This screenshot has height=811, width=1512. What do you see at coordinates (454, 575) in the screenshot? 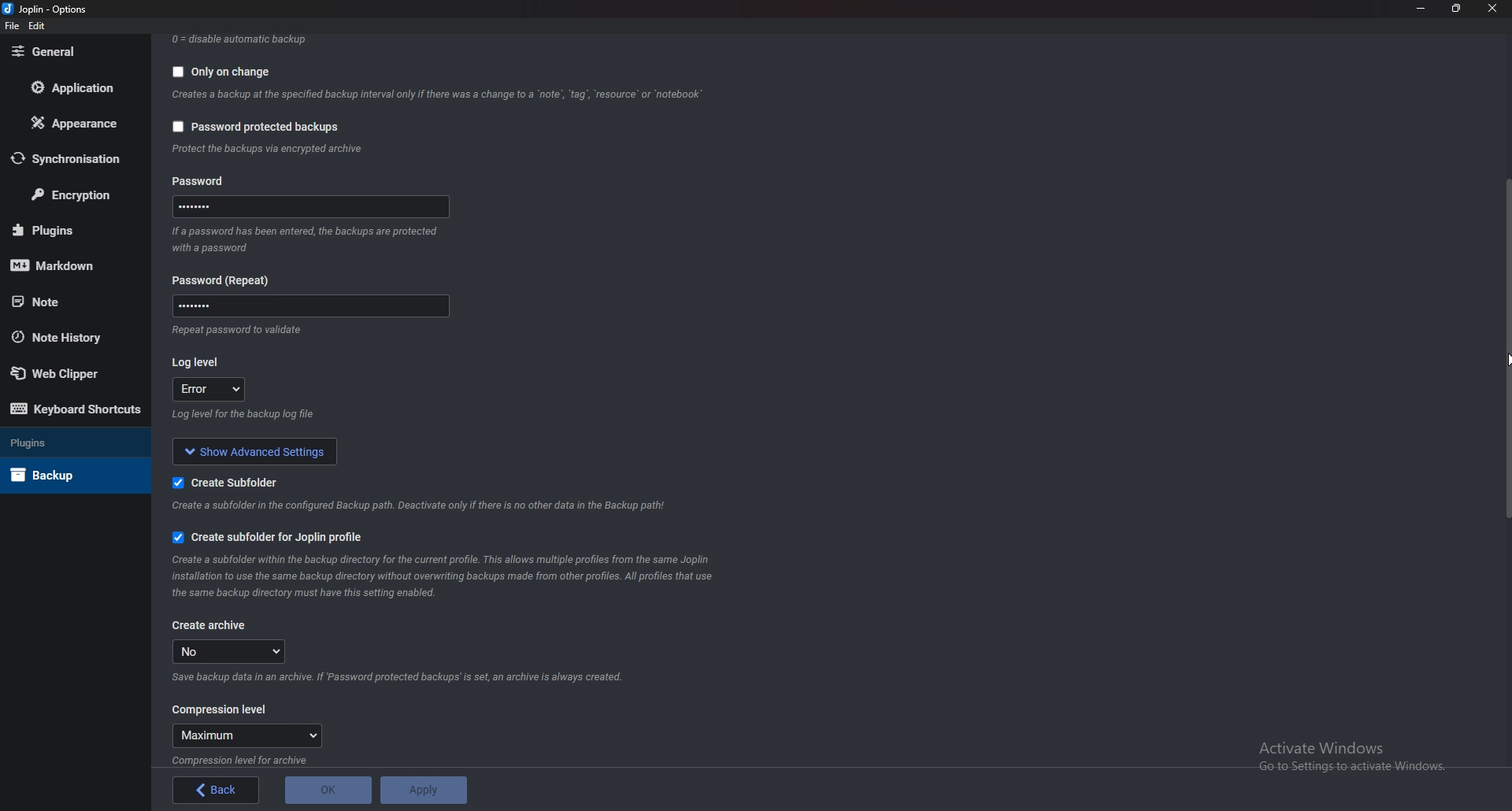
I see `info on subfolder for joplin profile` at bounding box center [454, 575].